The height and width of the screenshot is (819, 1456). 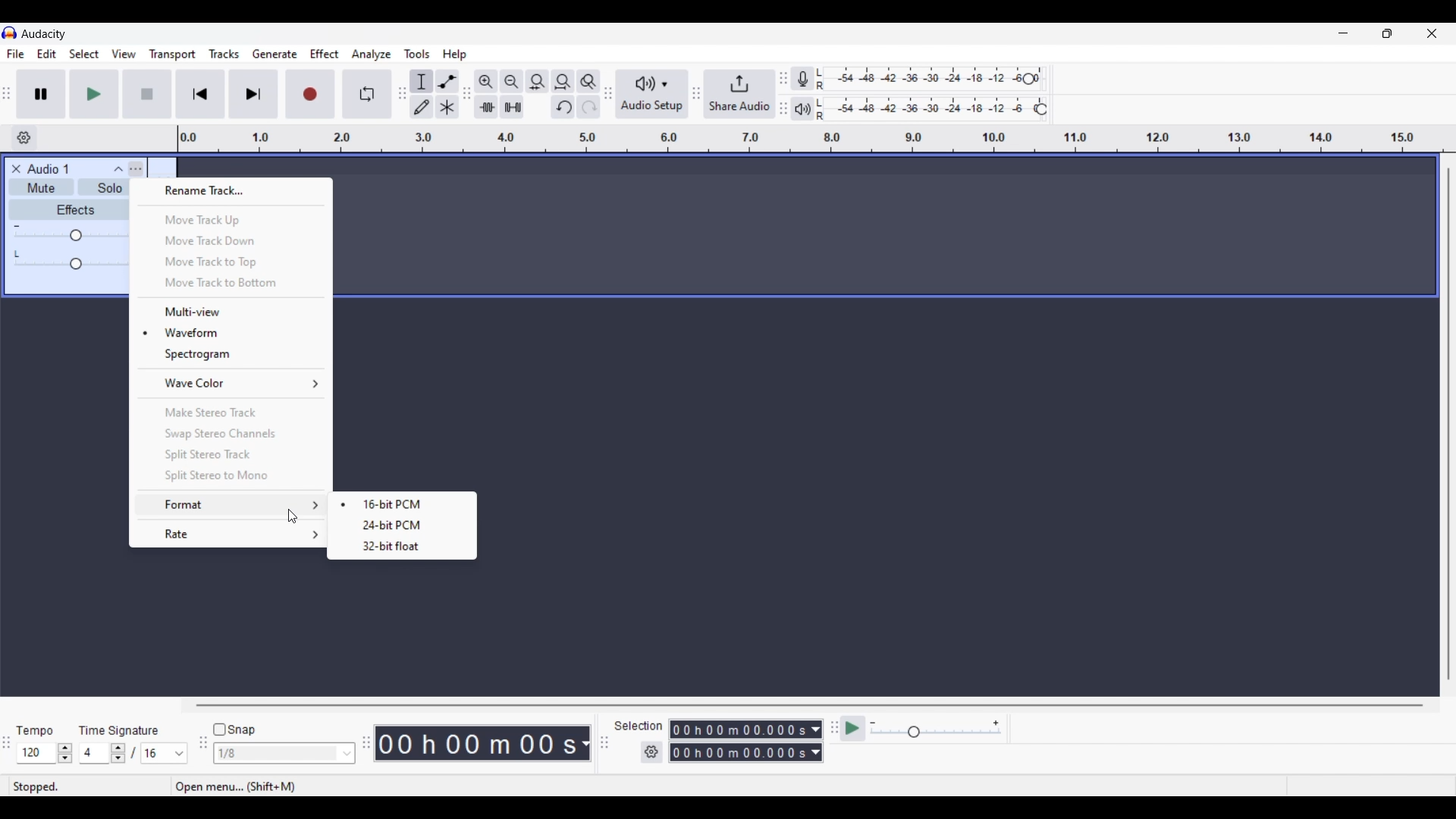 I want to click on Enable looping, so click(x=368, y=94).